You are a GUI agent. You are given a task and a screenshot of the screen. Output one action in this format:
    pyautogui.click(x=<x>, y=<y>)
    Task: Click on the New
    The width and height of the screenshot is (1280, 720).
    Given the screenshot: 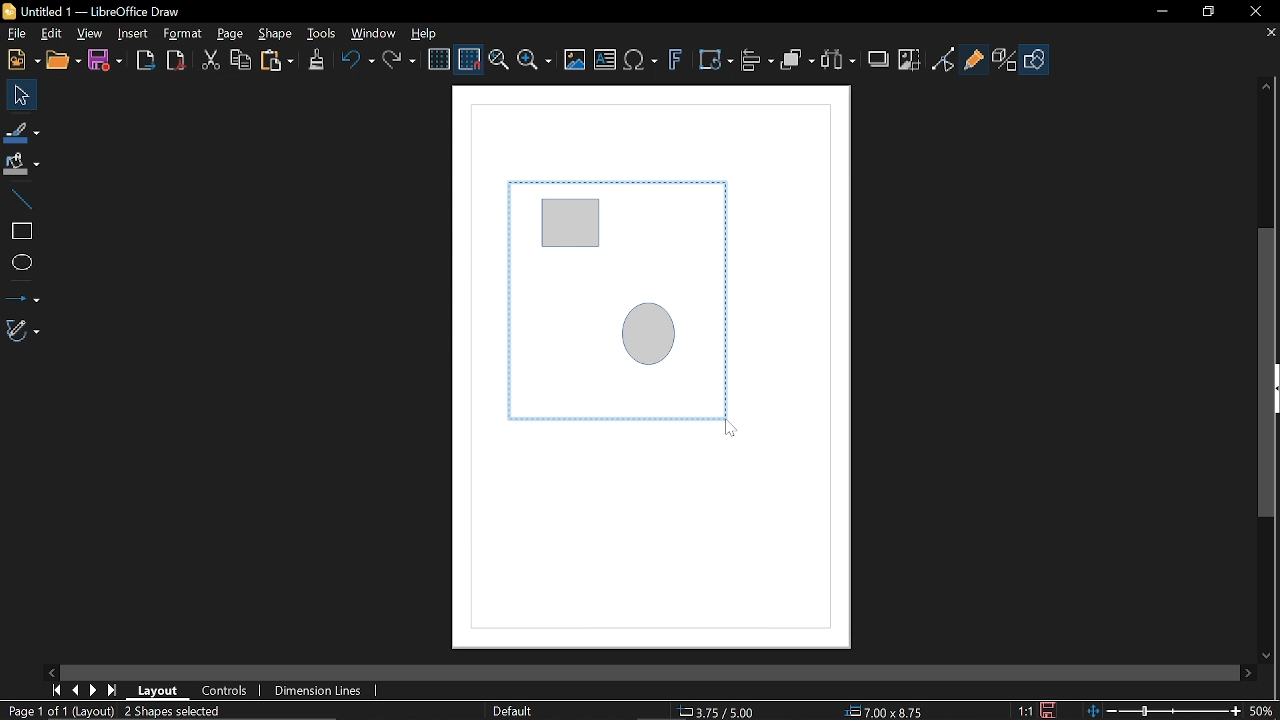 What is the action you would take?
    pyautogui.click(x=22, y=59)
    